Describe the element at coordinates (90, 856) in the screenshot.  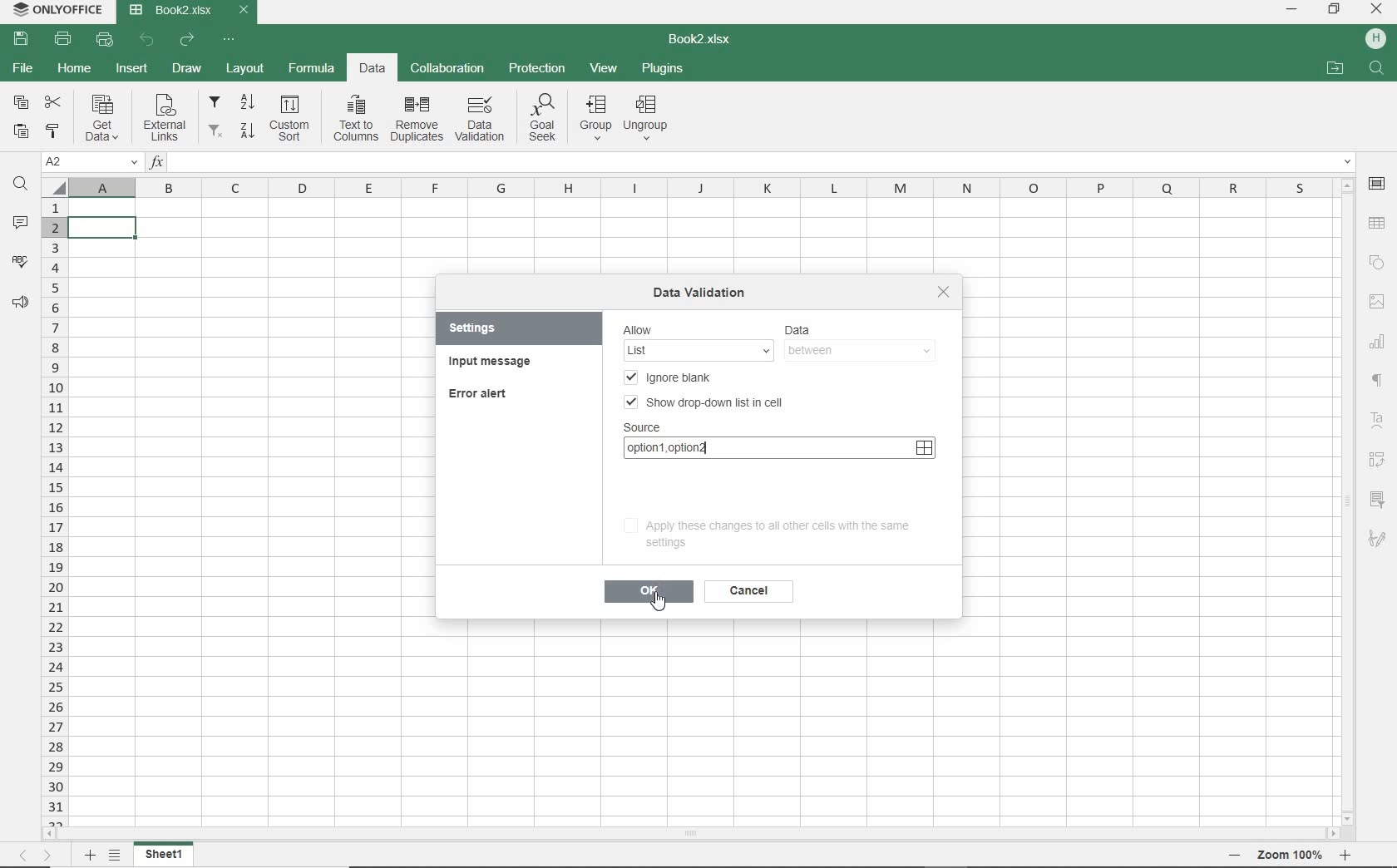
I see `ADD SHEET` at that location.